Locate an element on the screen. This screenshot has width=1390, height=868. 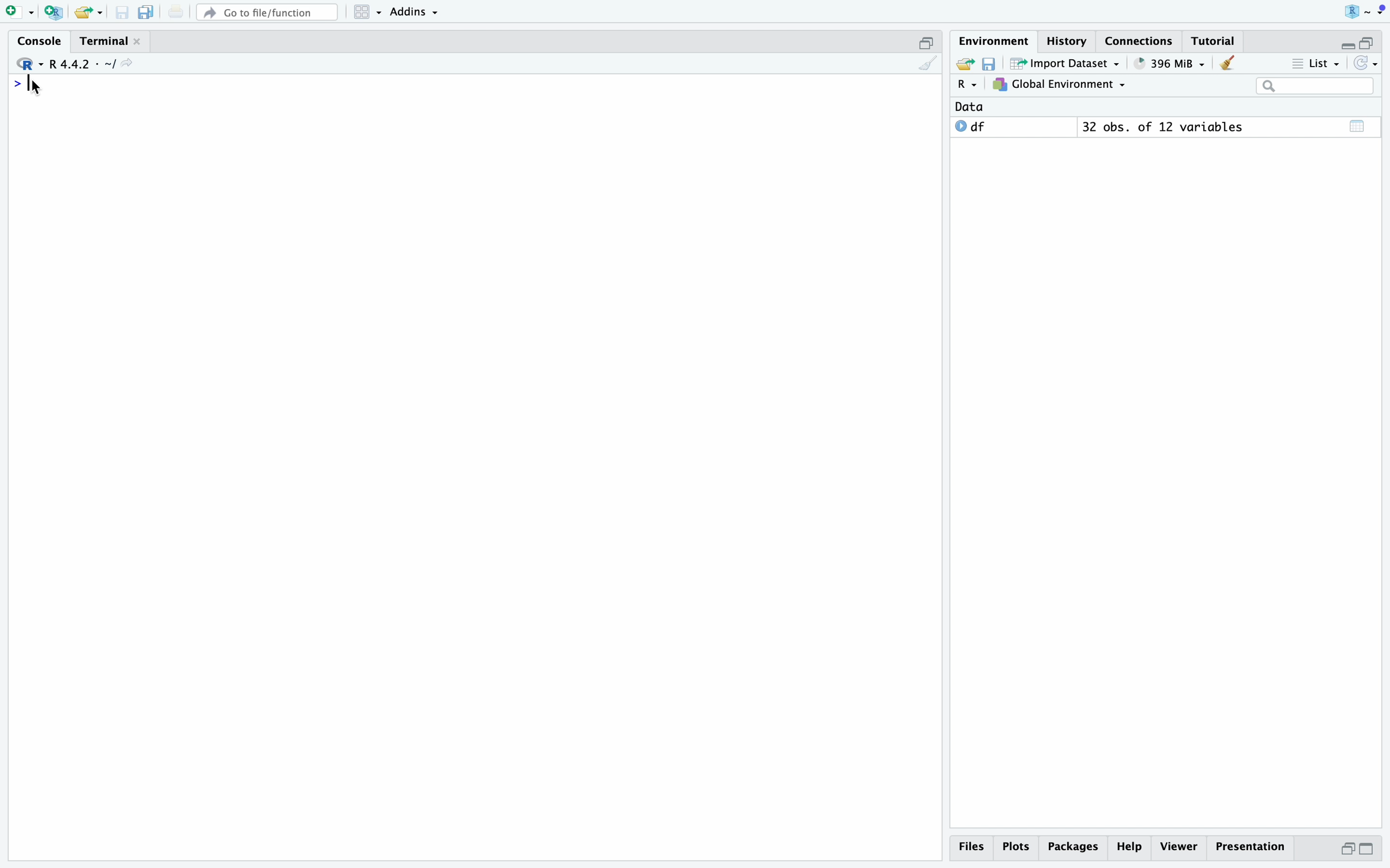
help is located at coordinates (1130, 848).